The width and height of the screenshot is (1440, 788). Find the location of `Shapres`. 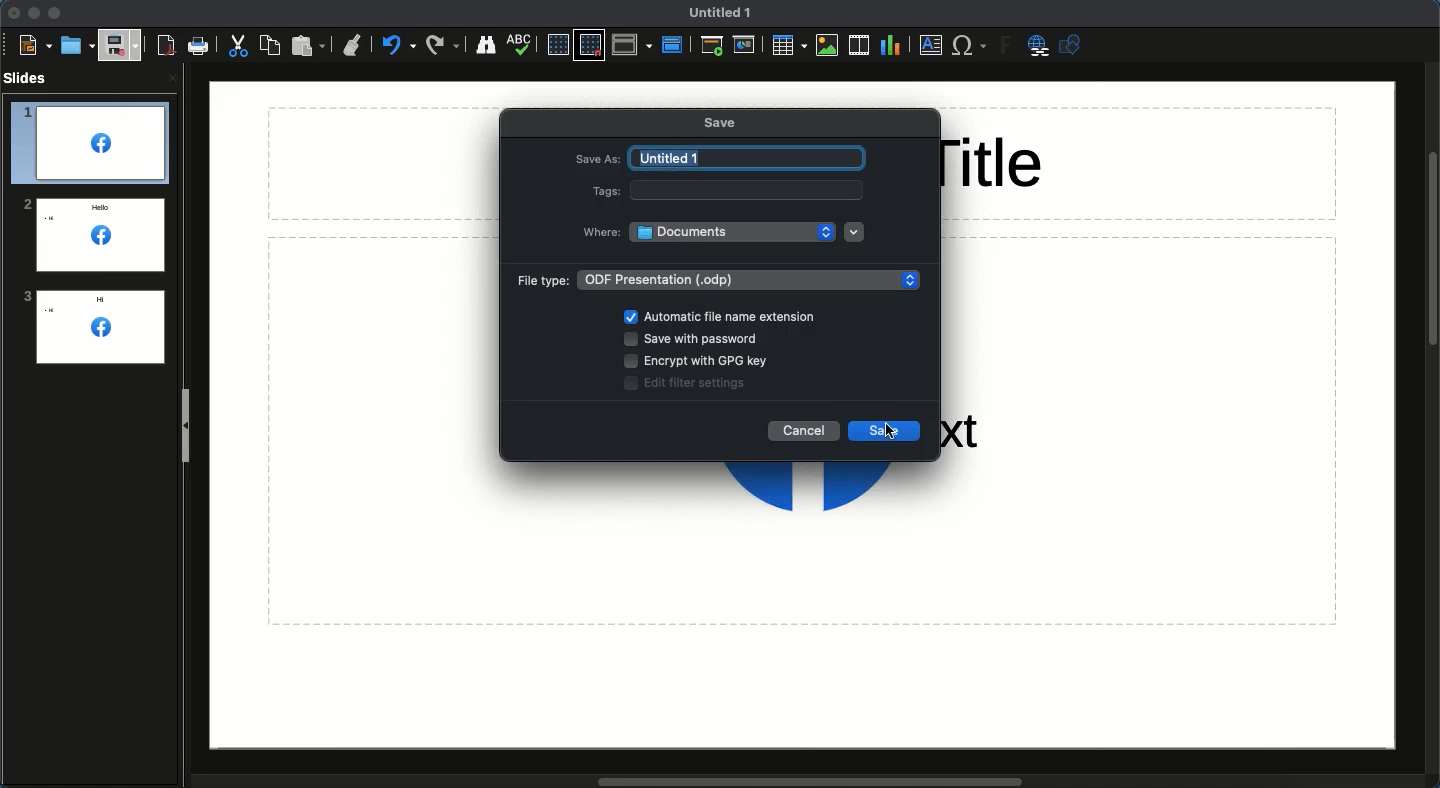

Shapres is located at coordinates (1074, 45).